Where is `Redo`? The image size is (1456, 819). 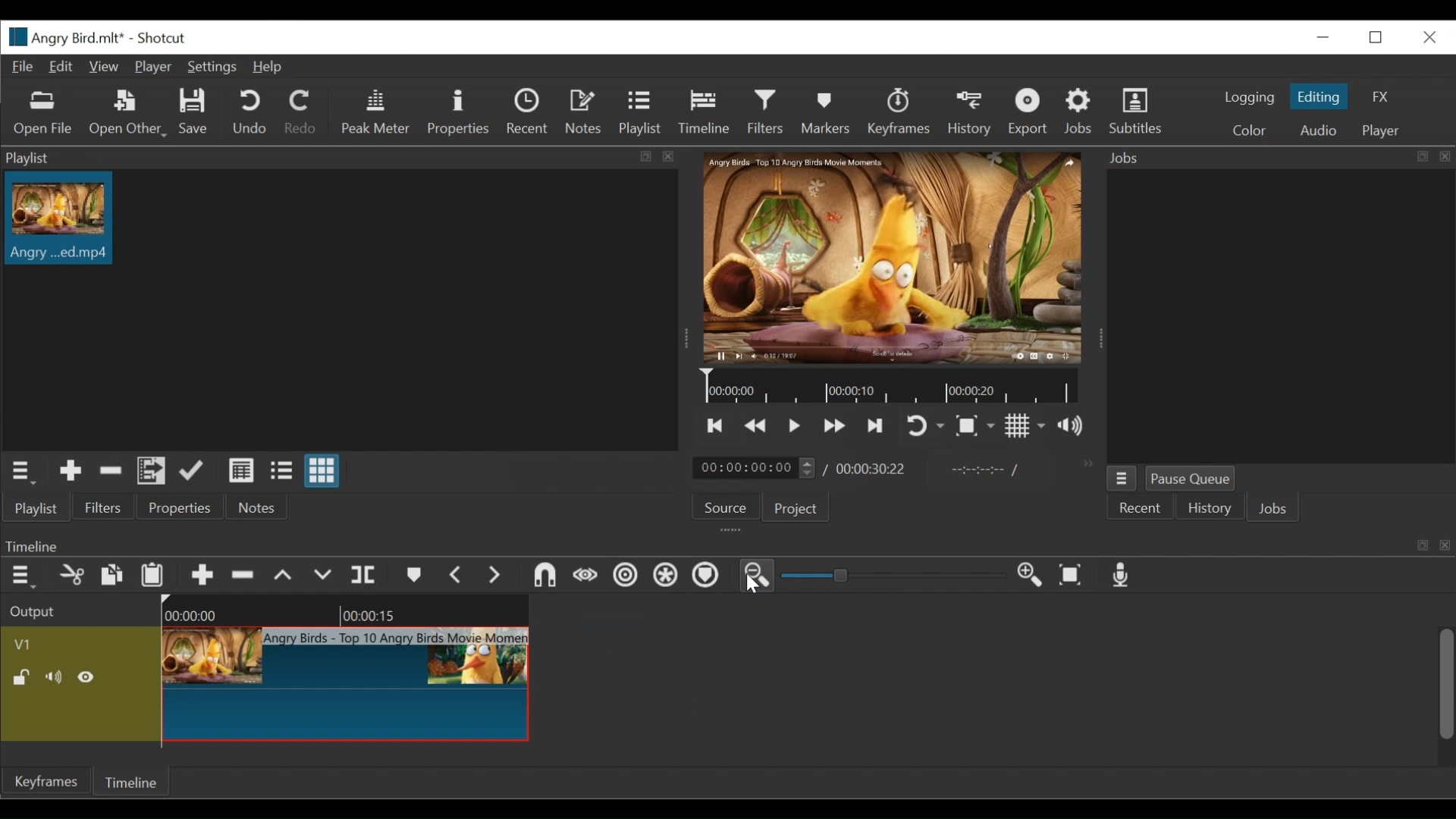 Redo is located at coordinates (299, 111).